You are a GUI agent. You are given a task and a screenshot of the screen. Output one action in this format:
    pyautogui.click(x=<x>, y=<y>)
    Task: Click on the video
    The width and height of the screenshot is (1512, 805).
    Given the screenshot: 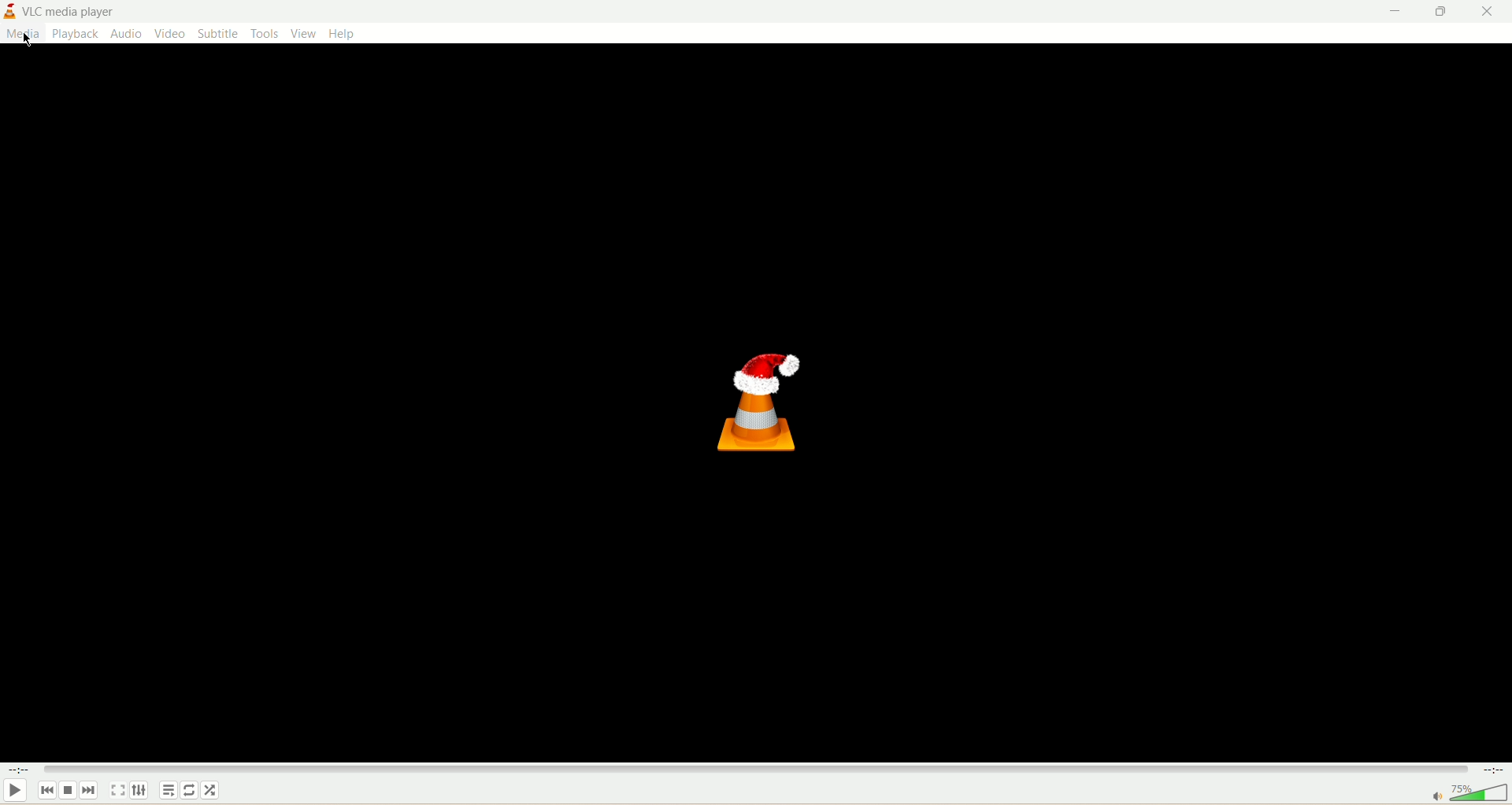 What is the action you would take?
    pyautogui.click(x=169, y=35)
    